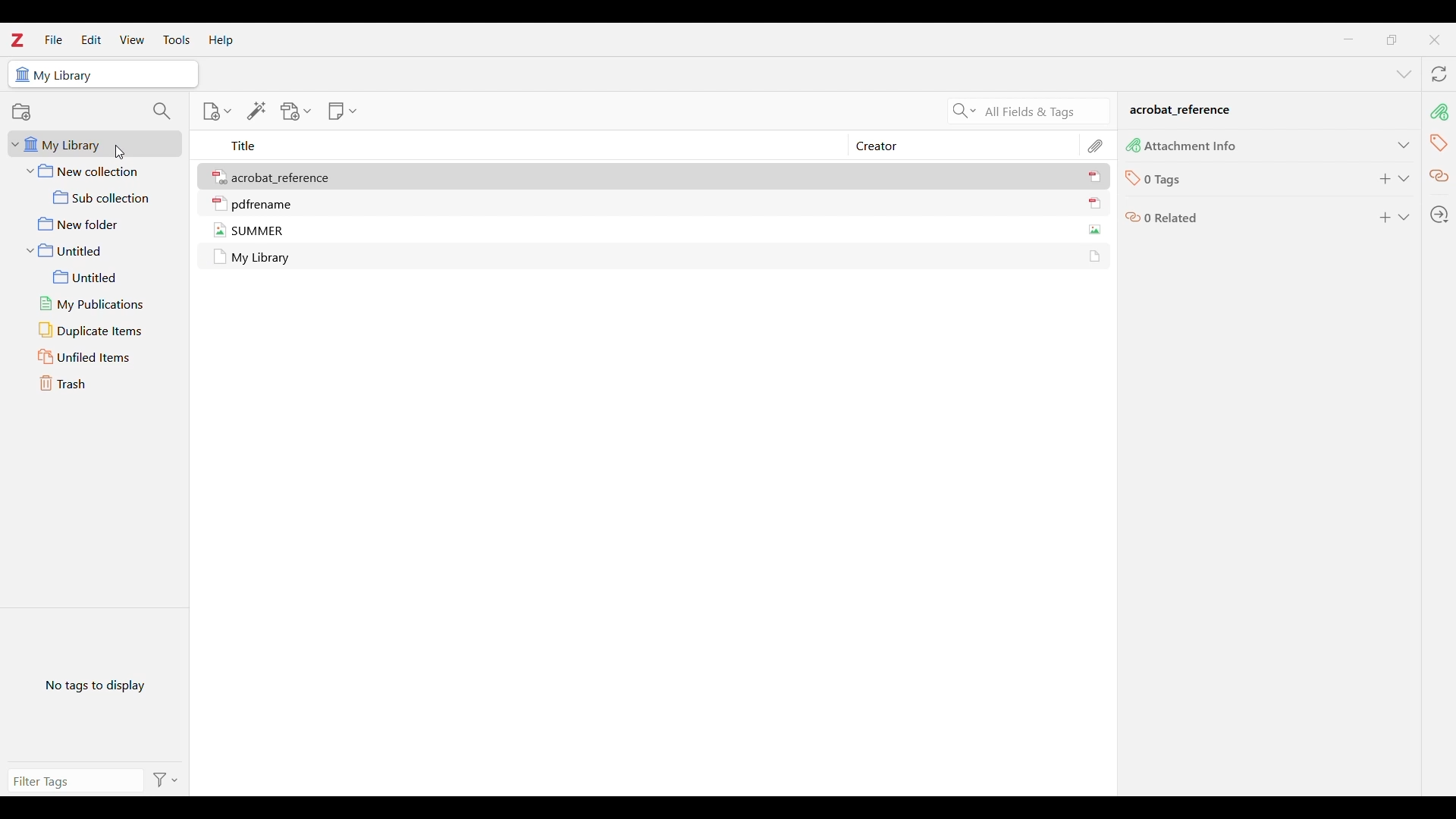 This screenshot has height=819, width=1456. I want to click on Attachment column, so click(1097, 145).